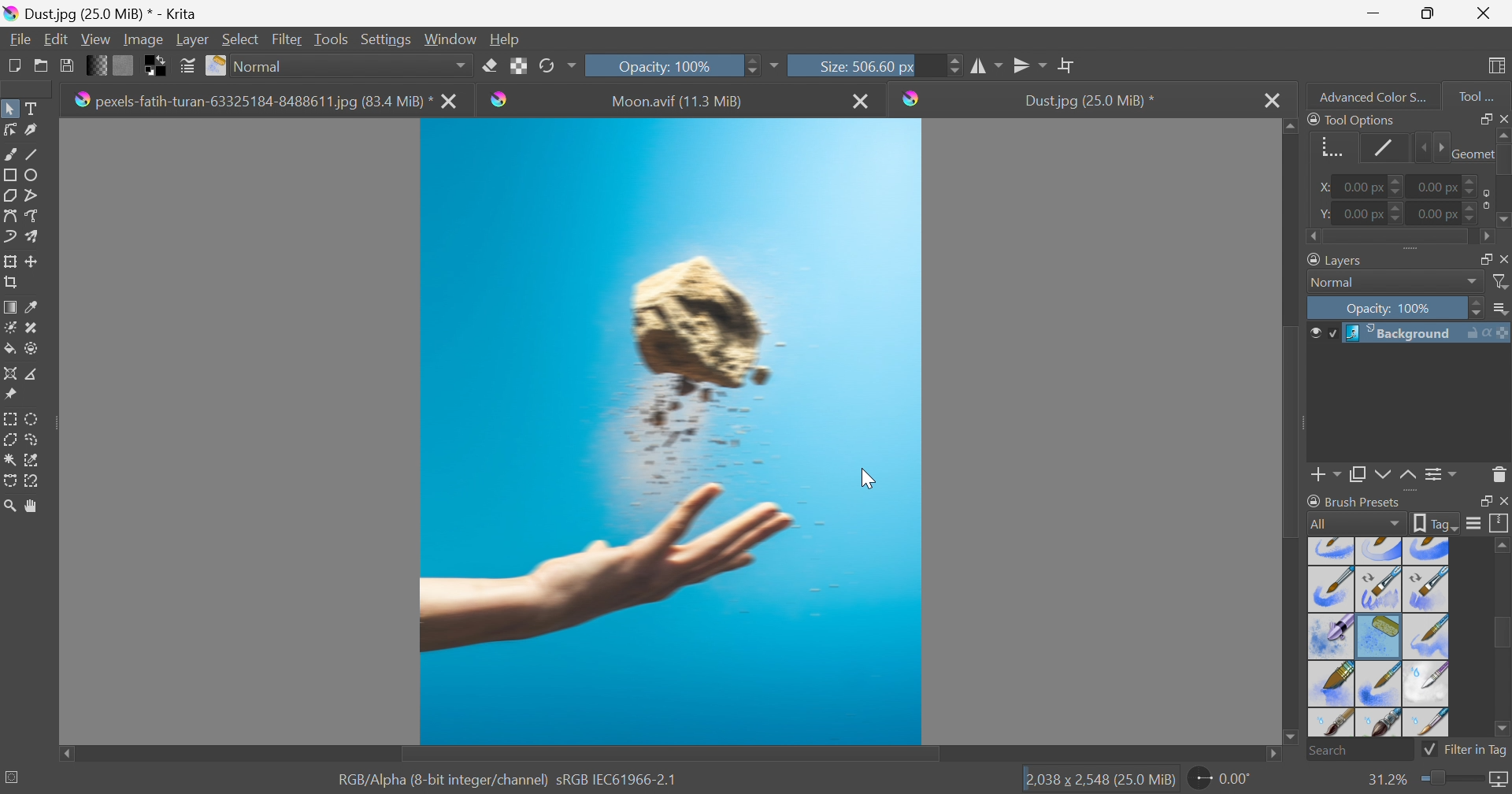  Describe the element at coordinates (1380, 477) in the screenshot. I see `Duplicate layer or mask` at that location.